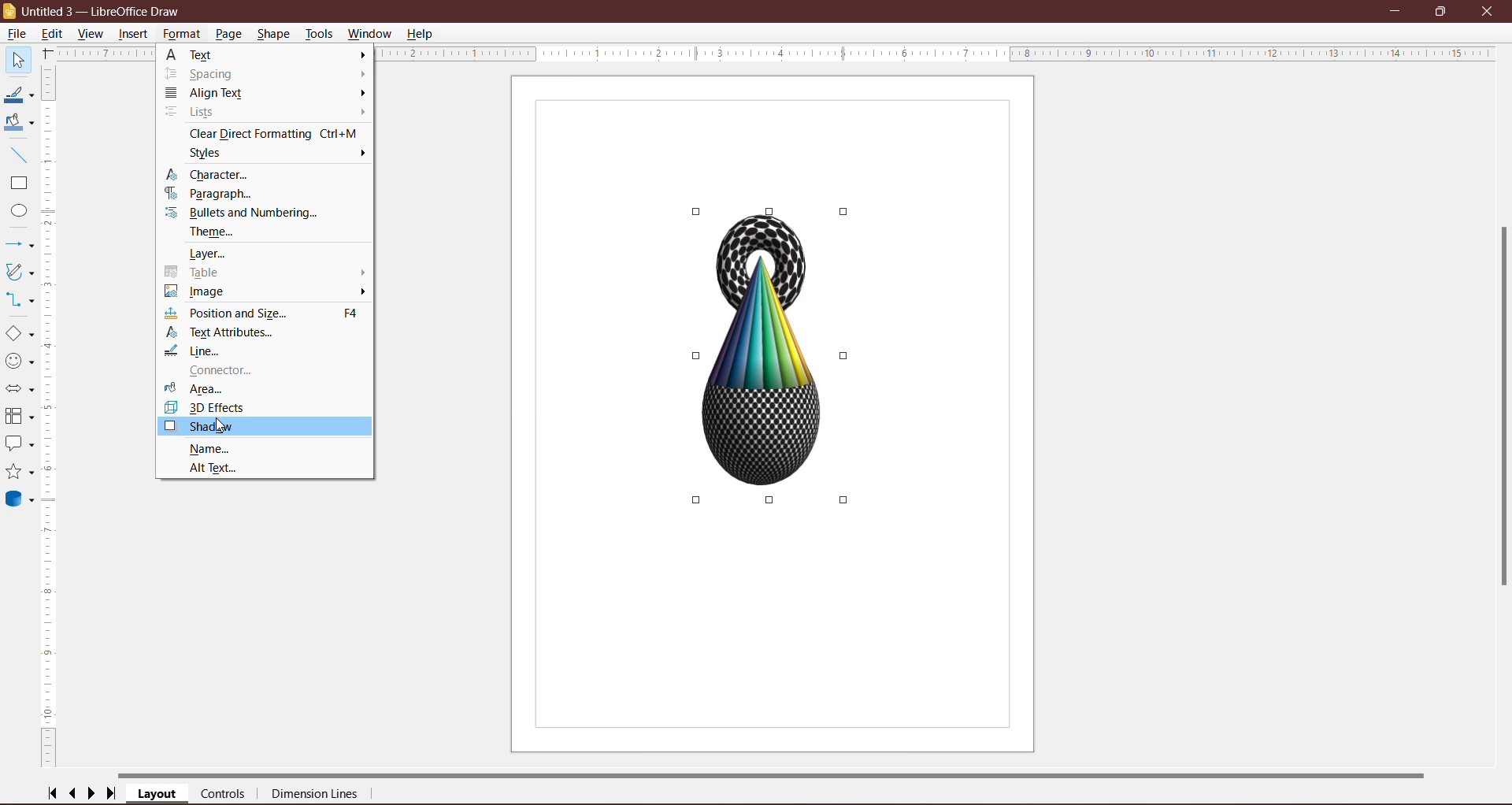 The image size is (1512, 805). I want to click on Minimize, so click(1396, 9).